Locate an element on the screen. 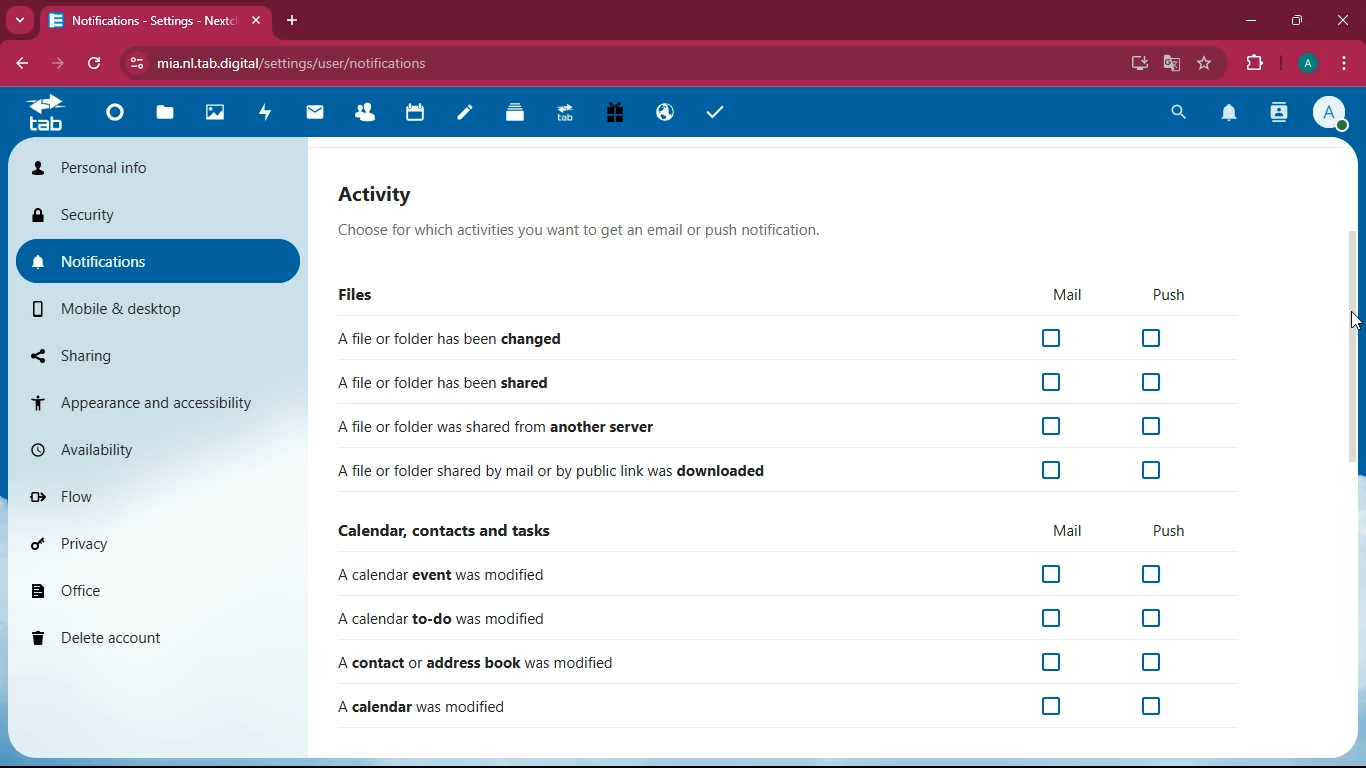  google translate is located at coordinates (1174, 61).